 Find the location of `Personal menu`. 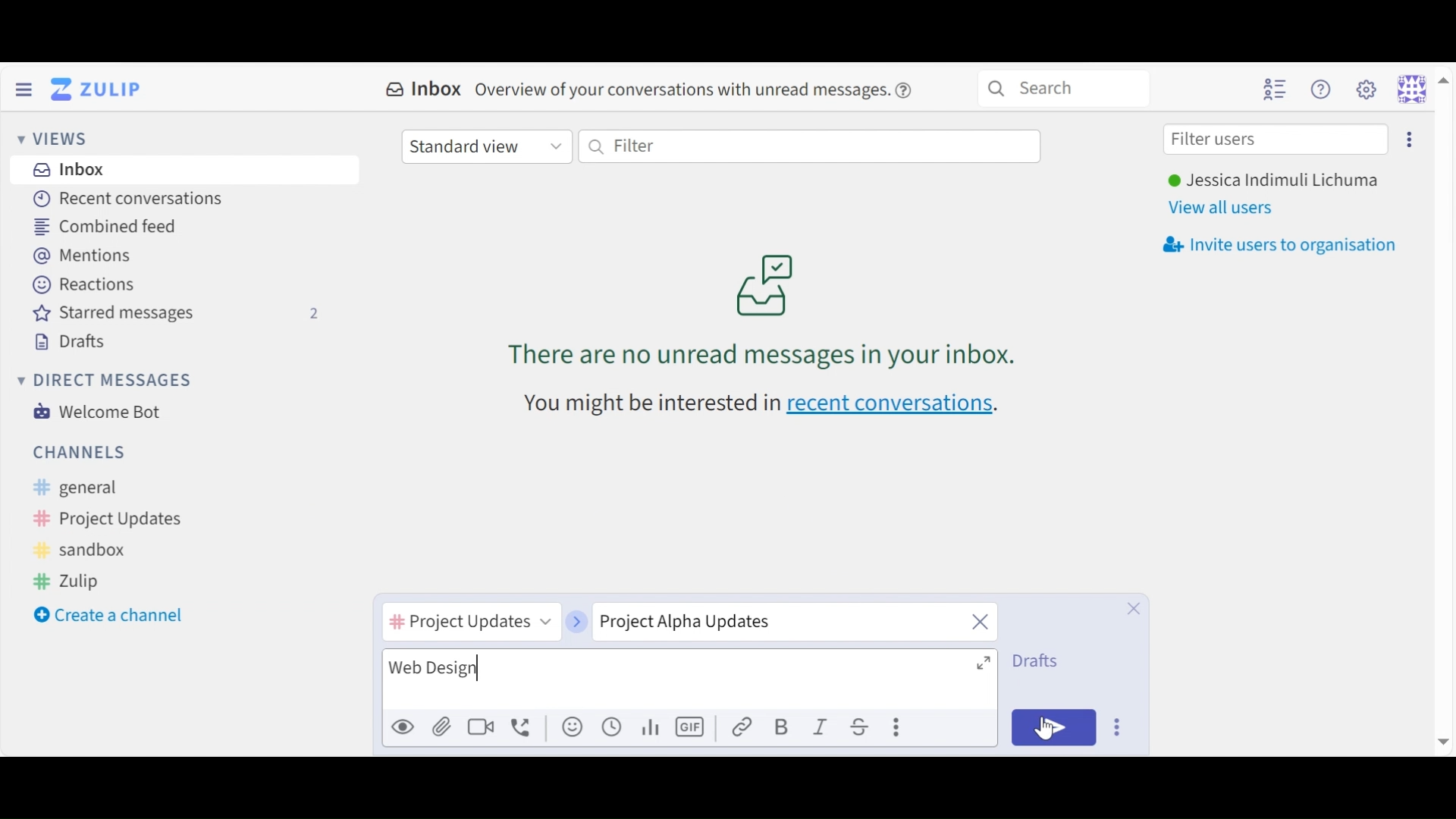

Personal menu is located at coordinates (1421, 88).